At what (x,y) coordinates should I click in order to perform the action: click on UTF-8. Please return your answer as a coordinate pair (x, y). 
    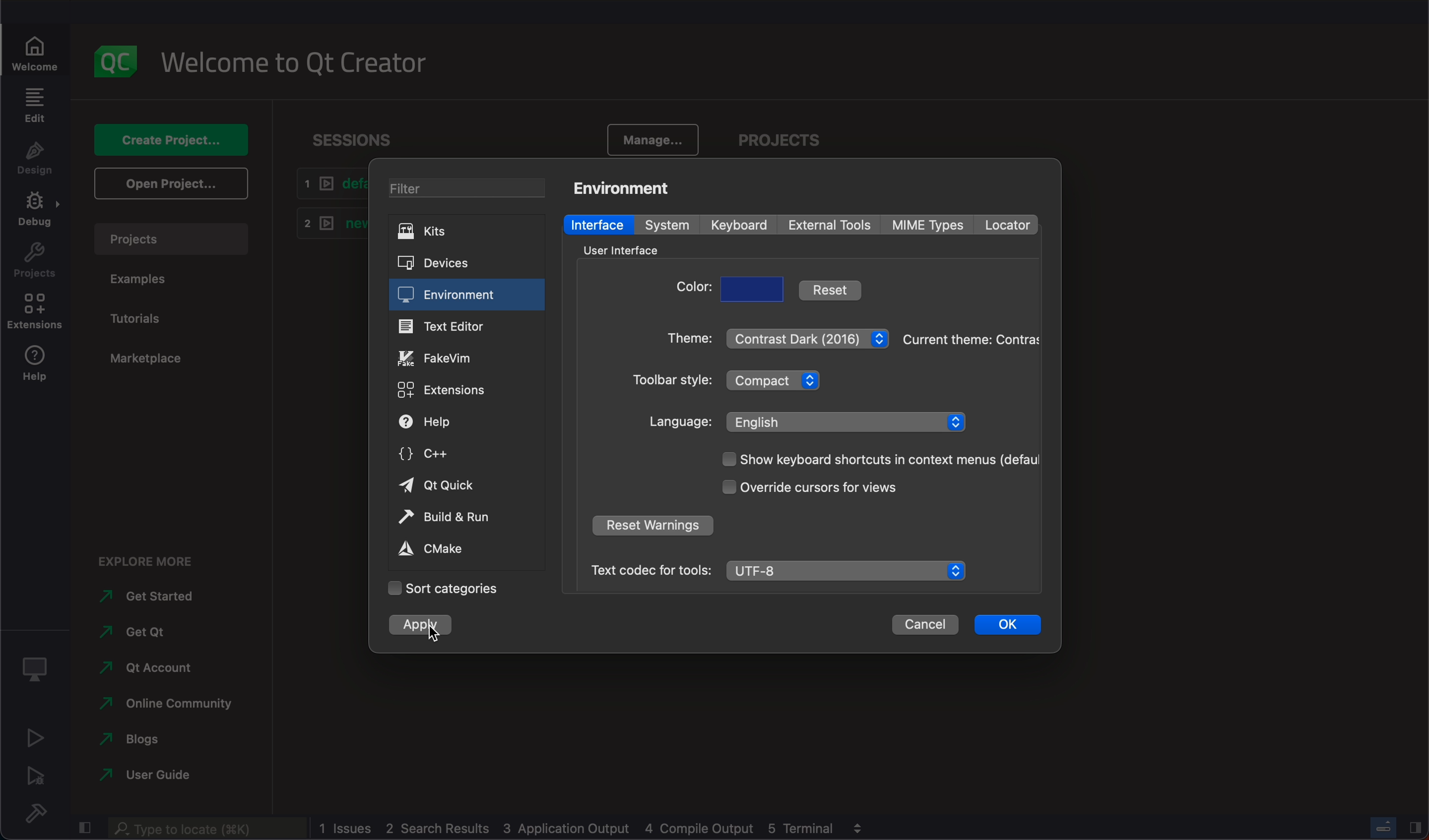
    Looking at the image, I should click on (846, 569).